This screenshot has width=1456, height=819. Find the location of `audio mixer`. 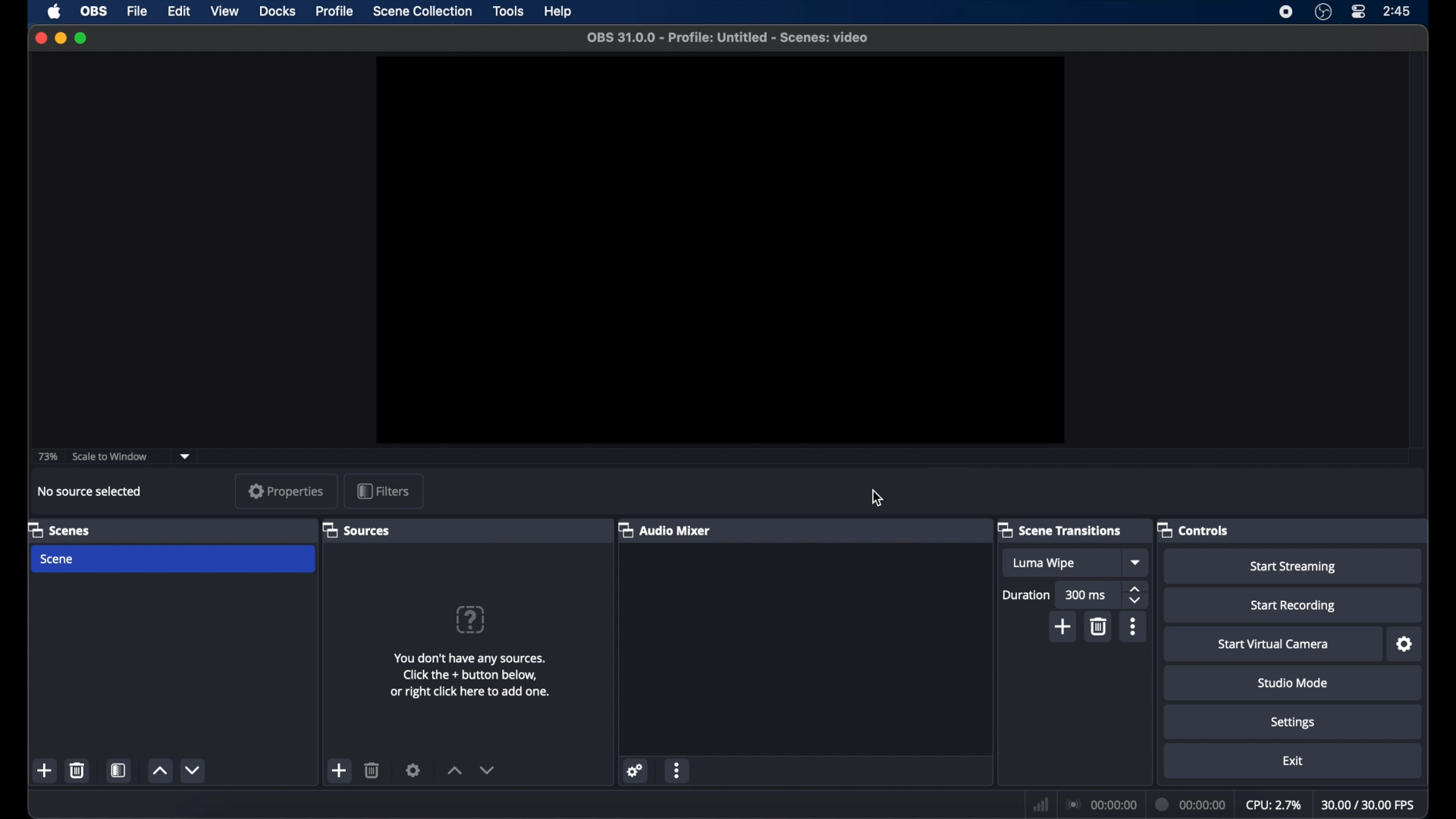

audio mixer is located at coordinates (665, 531).